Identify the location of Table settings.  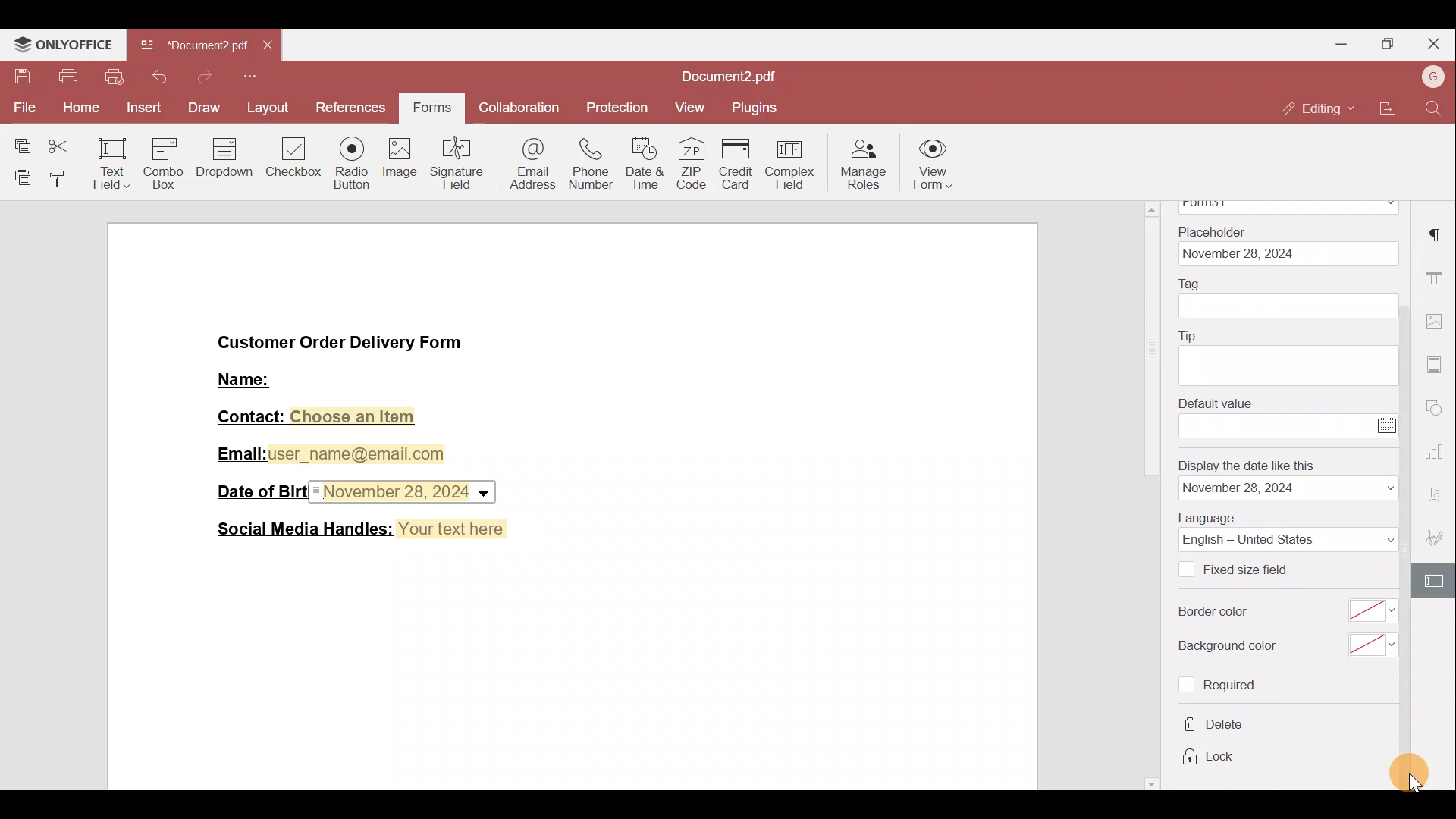
(1438, 279).